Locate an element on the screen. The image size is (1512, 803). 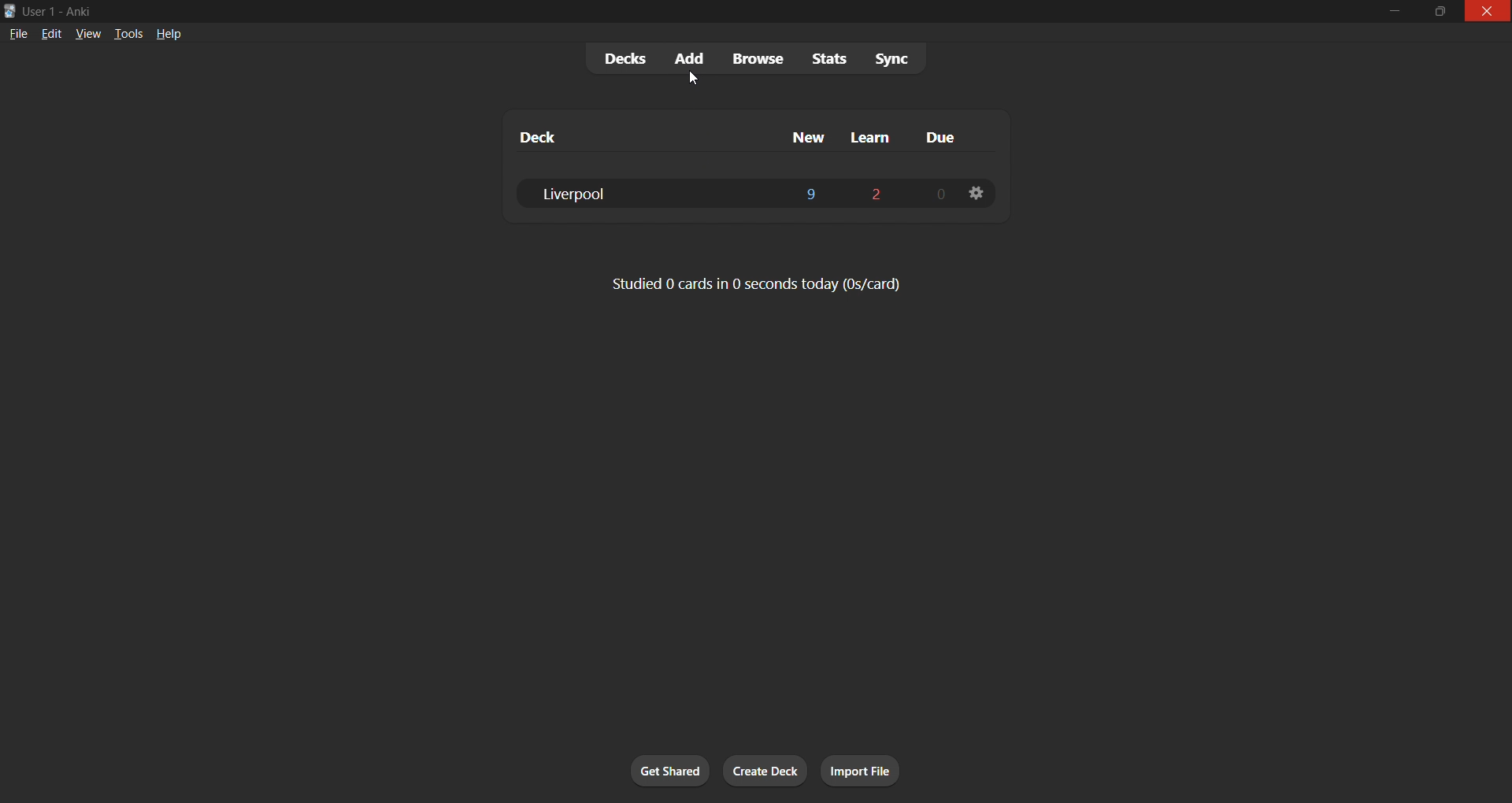
stats is located at coordinates (830, 60).